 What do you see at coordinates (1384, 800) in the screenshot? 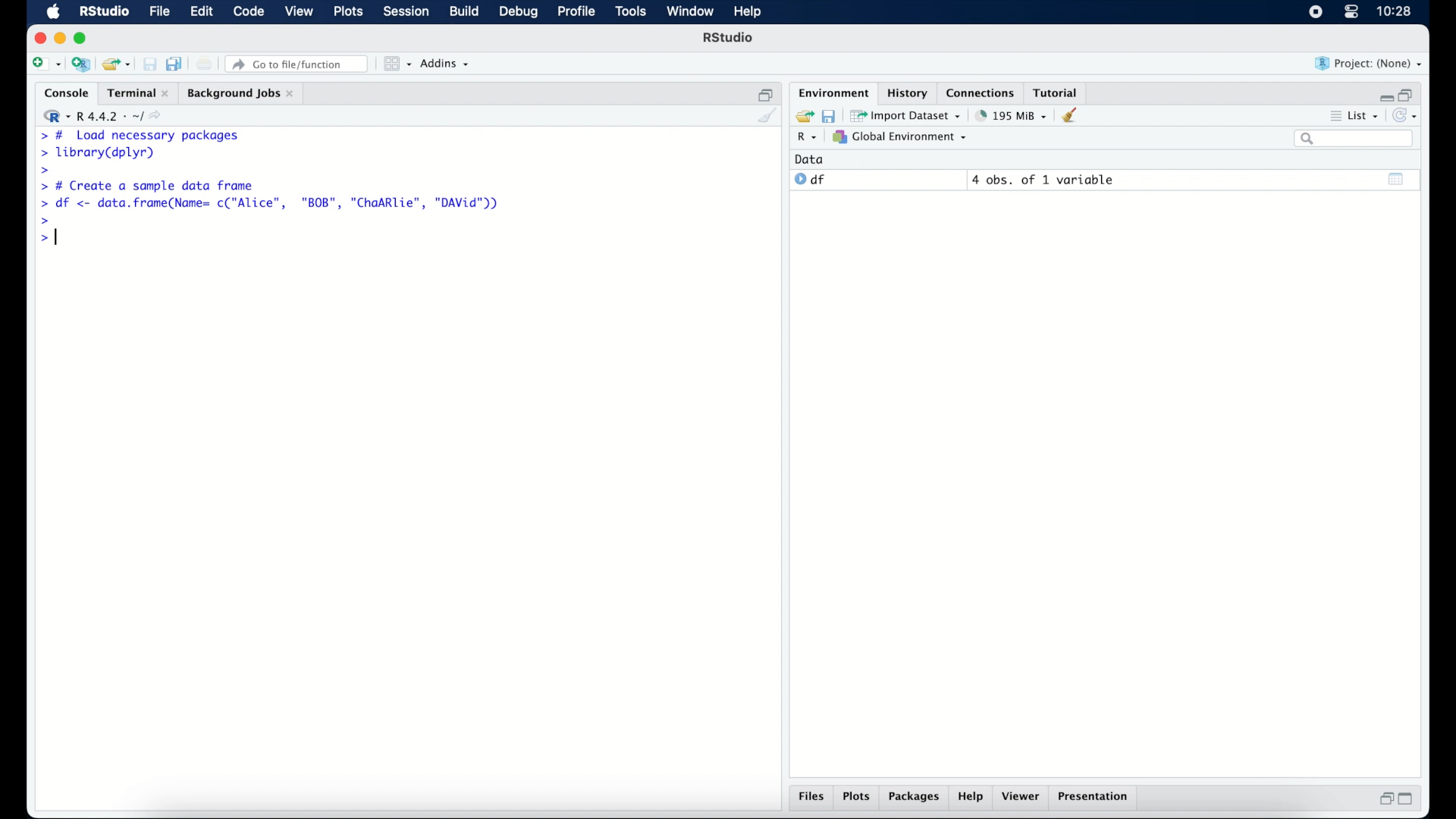
I see `restore down` at bounding box center [1384, 800].